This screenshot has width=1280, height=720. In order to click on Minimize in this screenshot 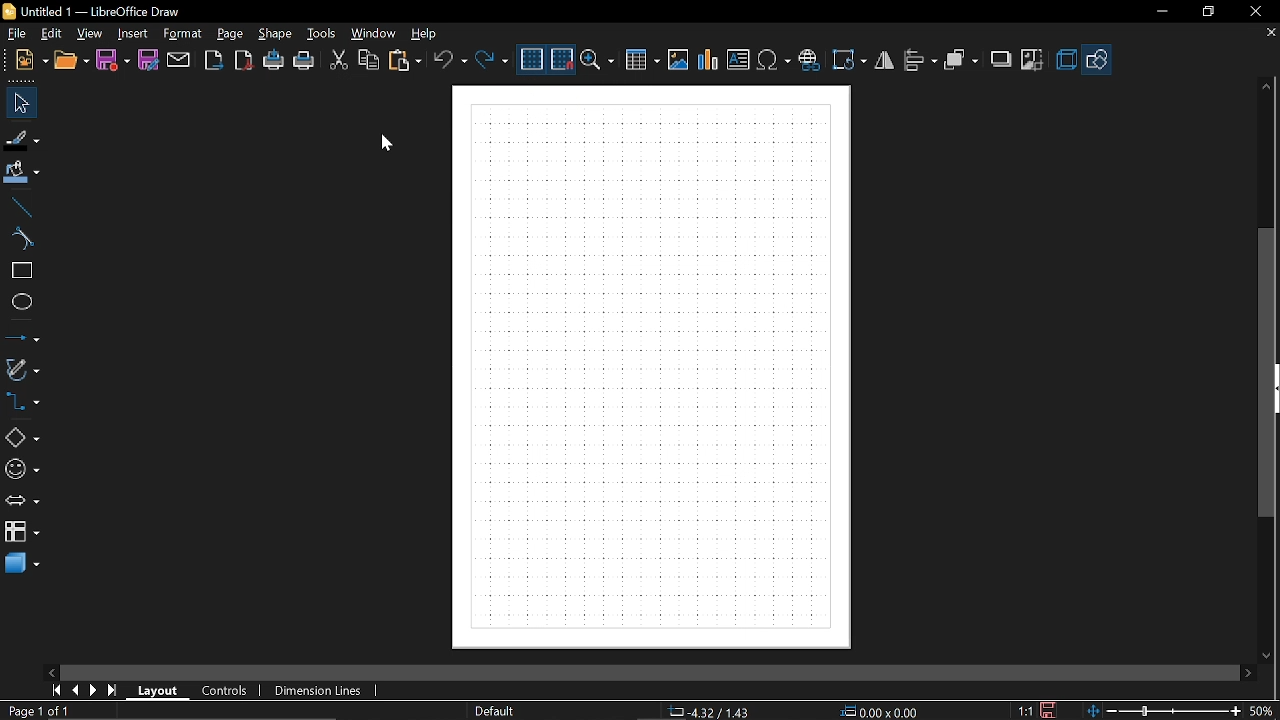, I will do `click(1162, 13)`.